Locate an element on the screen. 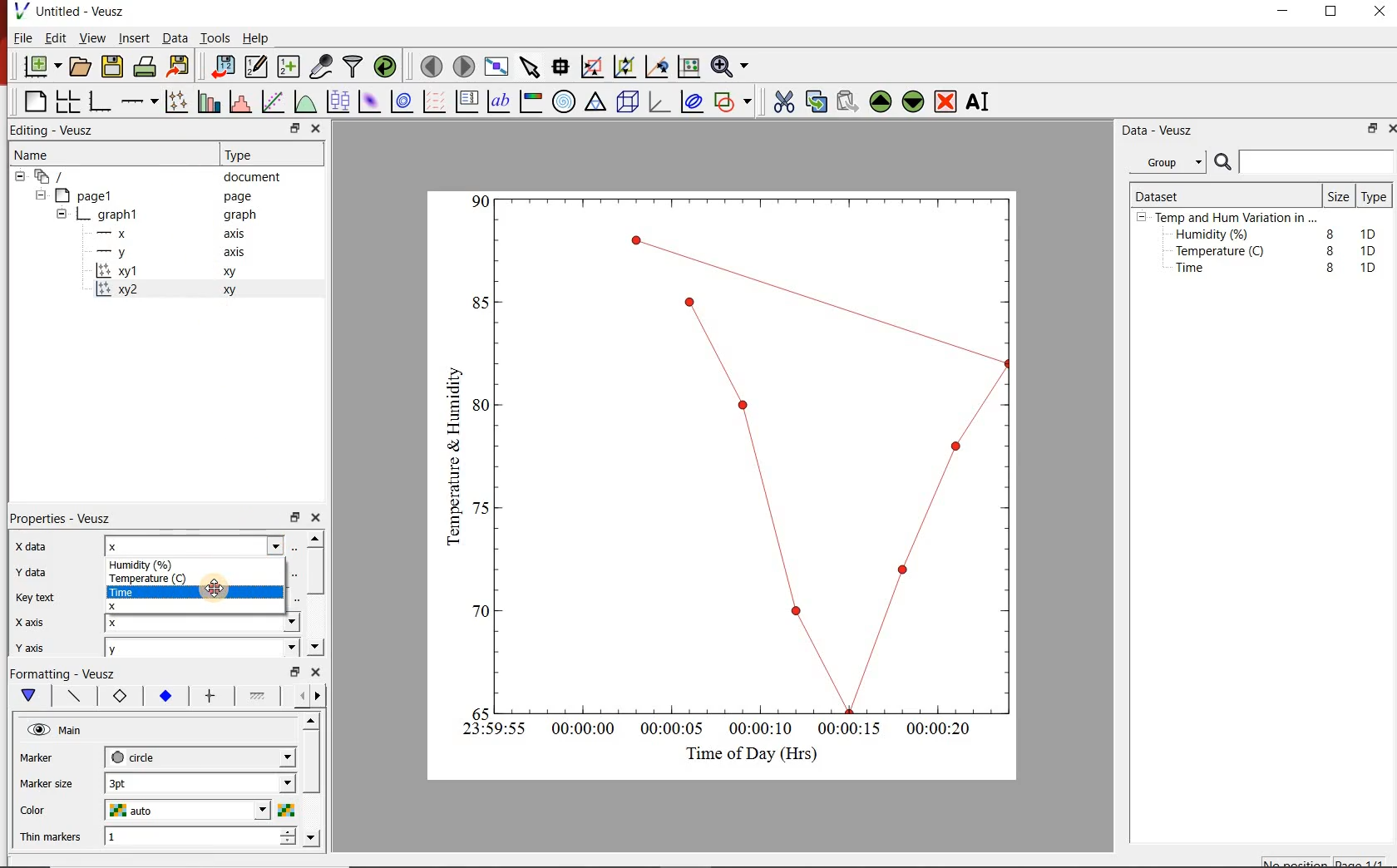 Image resolution: width=1397 pixels, height=868 pixels. close is located at coordinates (317, 128).